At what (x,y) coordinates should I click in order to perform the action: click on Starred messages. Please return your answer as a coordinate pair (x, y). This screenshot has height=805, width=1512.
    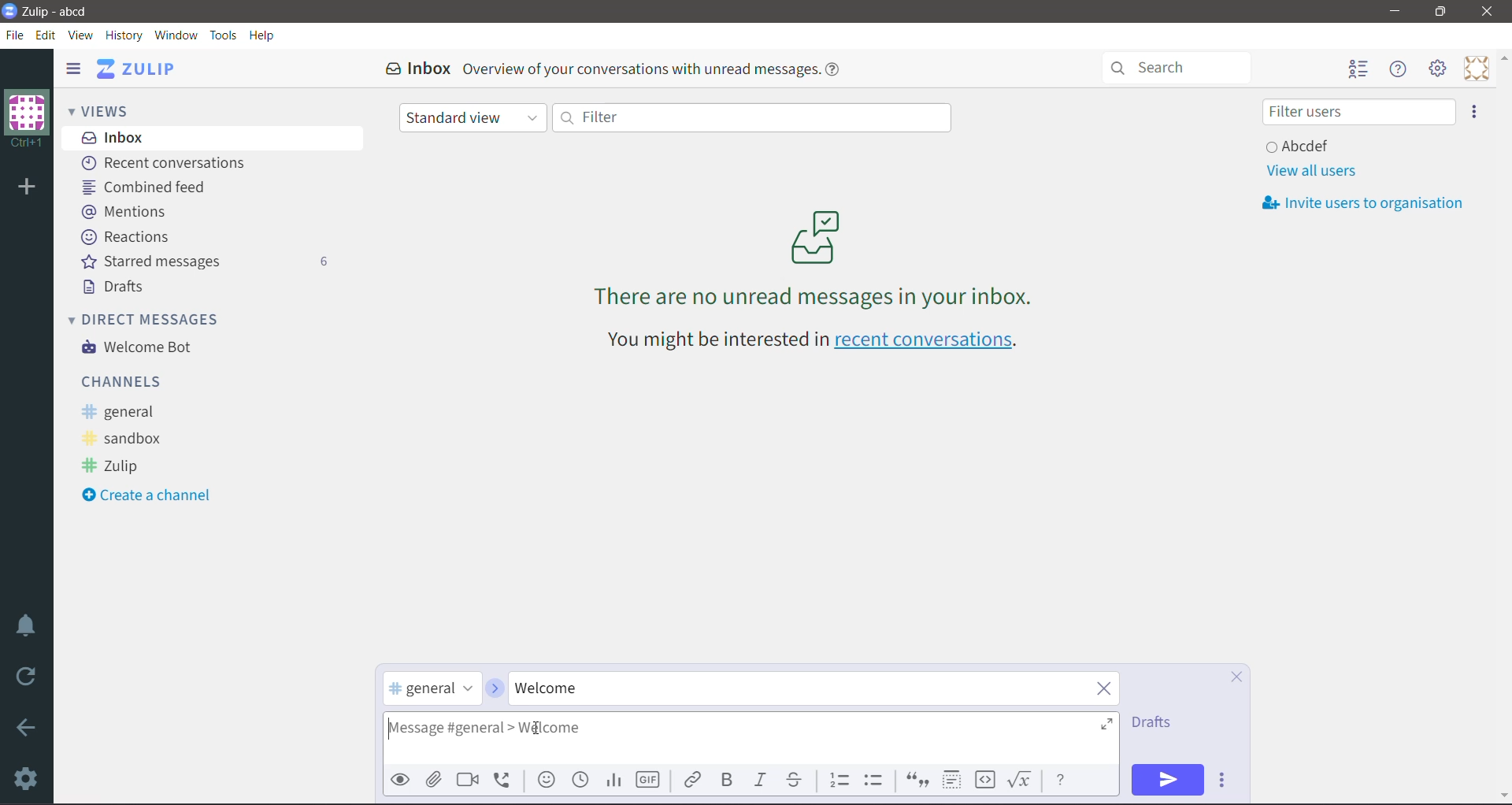
    Looking at the image, I should click on (204, 261).